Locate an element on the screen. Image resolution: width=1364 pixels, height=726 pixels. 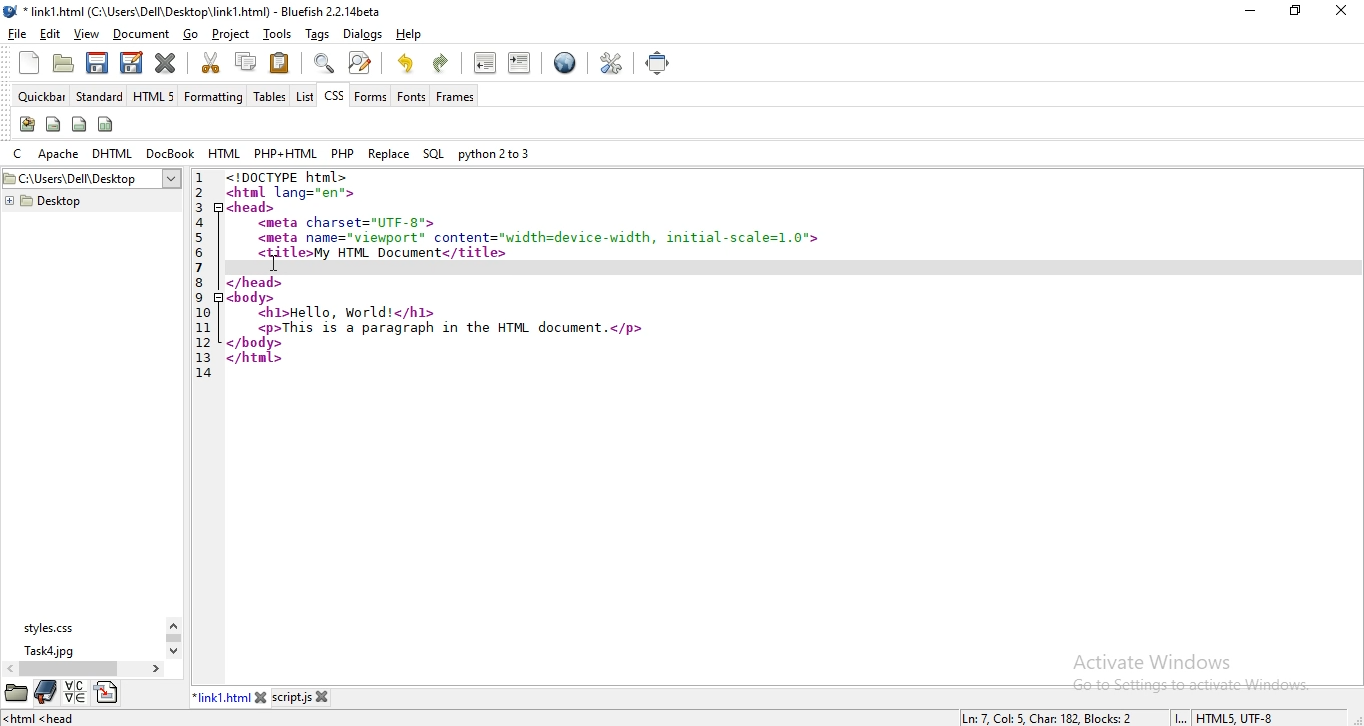
8 is located at coordinates (199, 283).